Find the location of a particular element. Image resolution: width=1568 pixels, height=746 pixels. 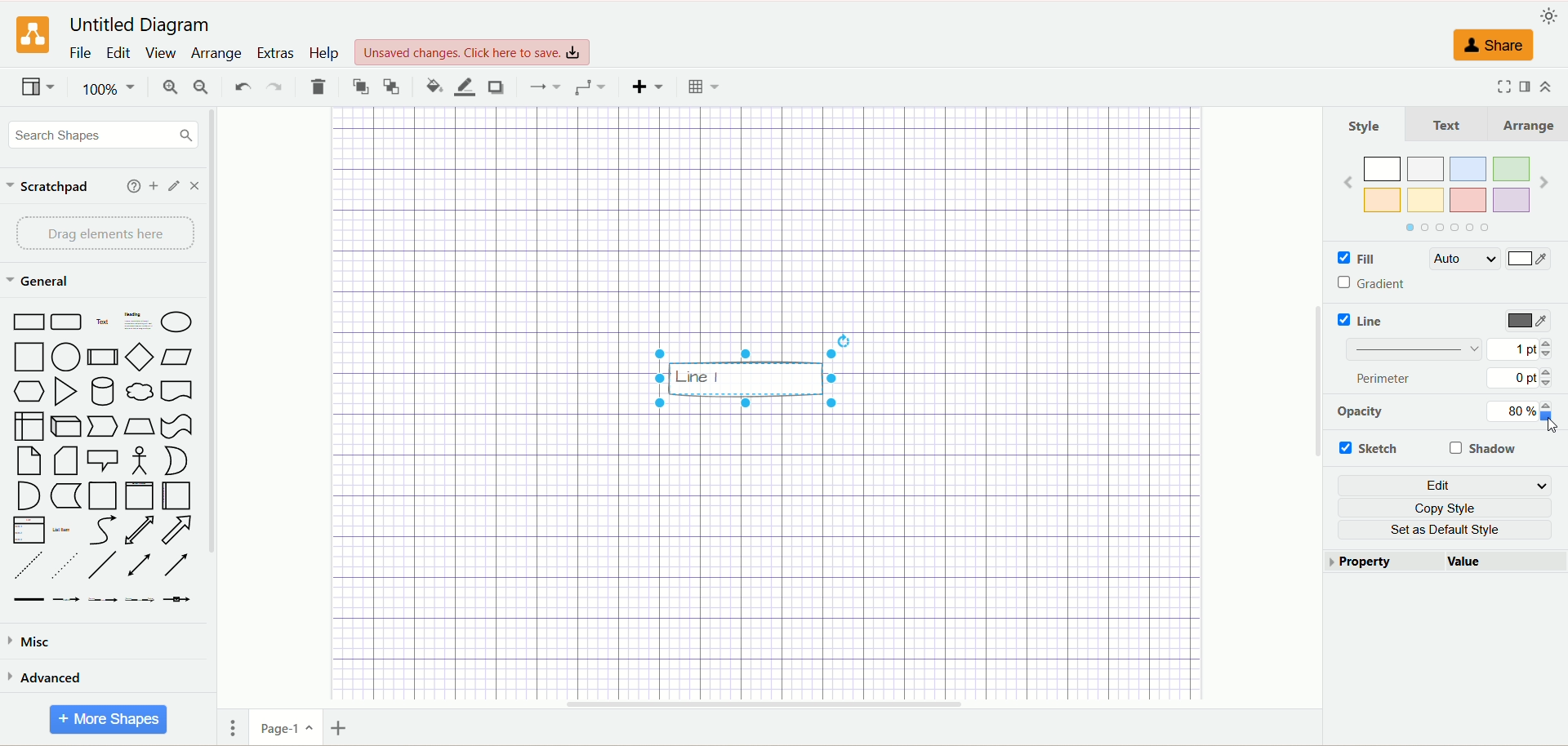

zoom in is located at coordinates (167, 87).